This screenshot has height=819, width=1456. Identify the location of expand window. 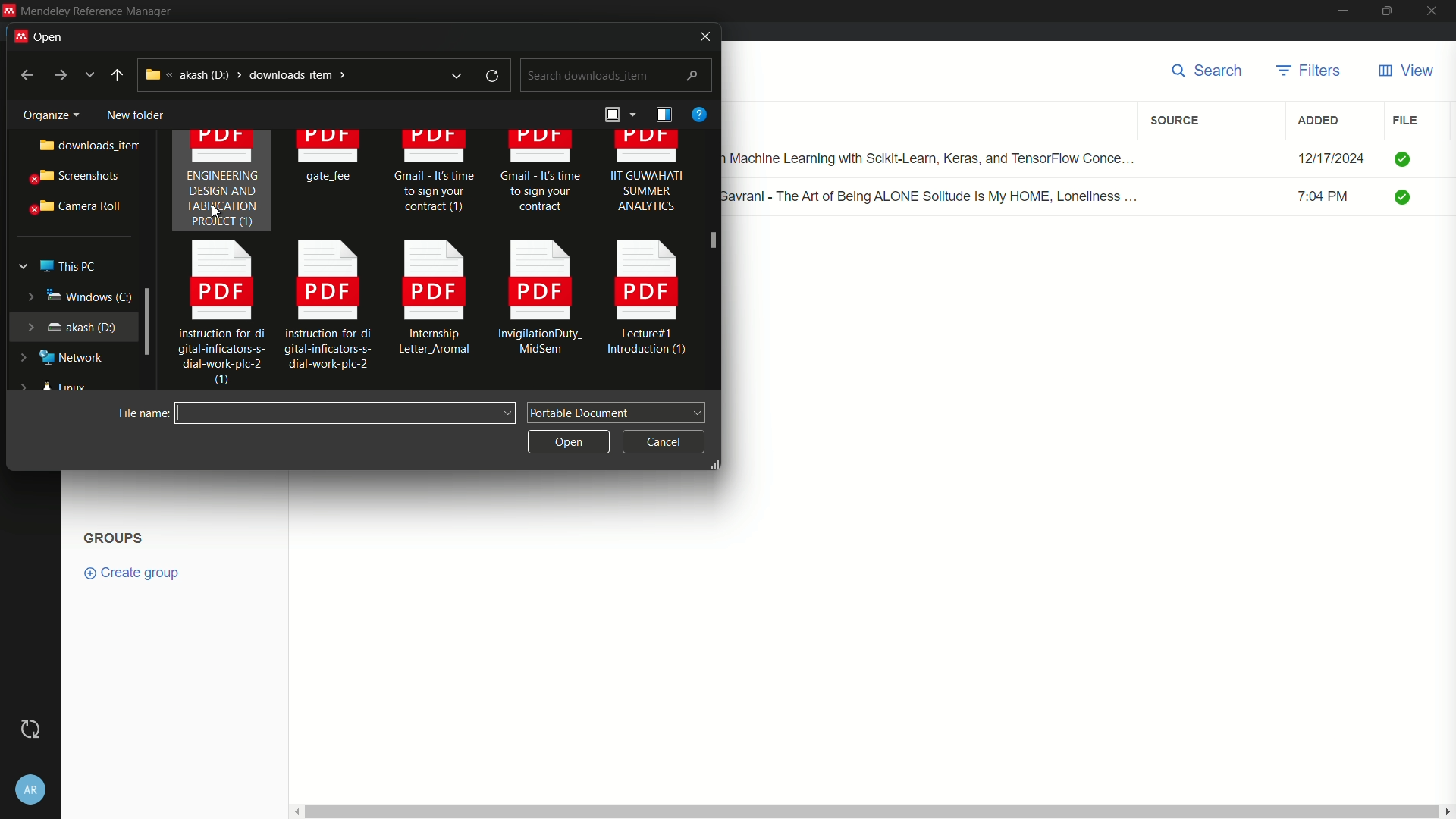
(149, 320).